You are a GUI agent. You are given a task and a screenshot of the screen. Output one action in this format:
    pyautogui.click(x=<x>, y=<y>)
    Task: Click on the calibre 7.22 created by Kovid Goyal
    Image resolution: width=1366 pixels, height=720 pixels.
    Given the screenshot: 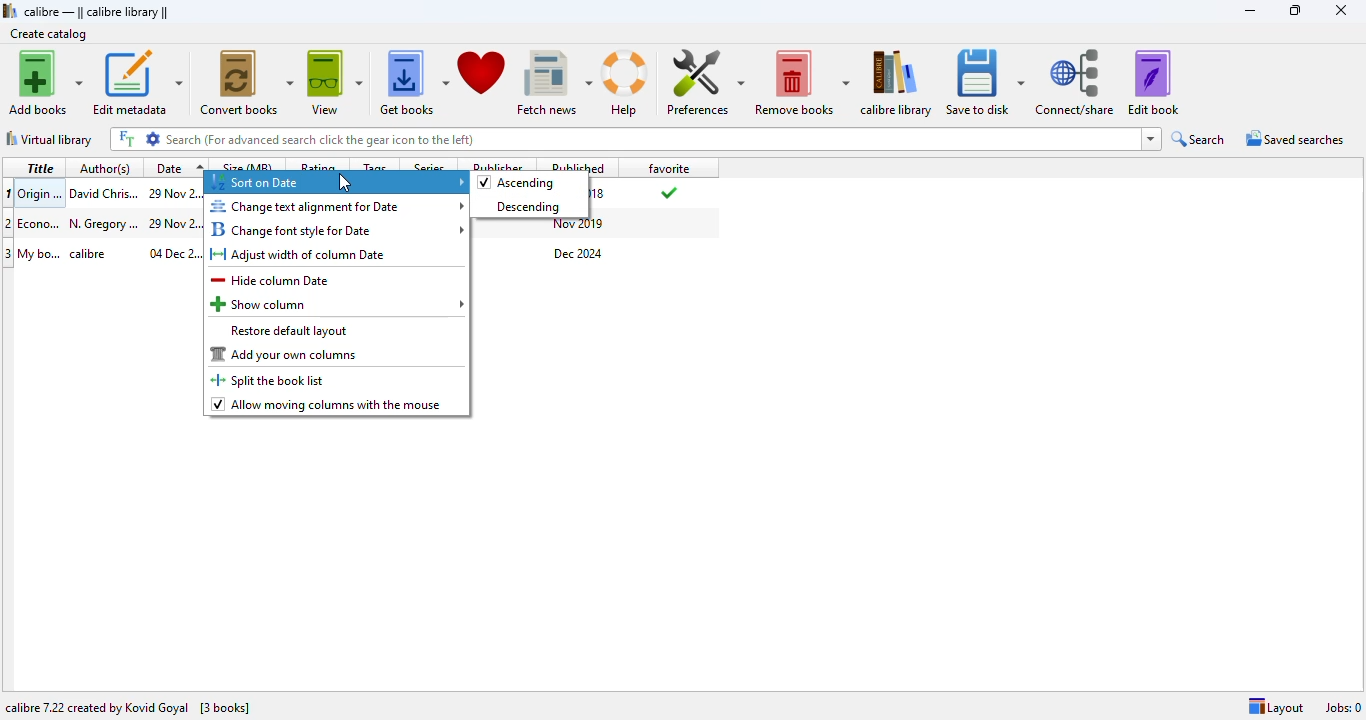 What is the action you would take?
    pyautogui.click(x=97, y=708)
    